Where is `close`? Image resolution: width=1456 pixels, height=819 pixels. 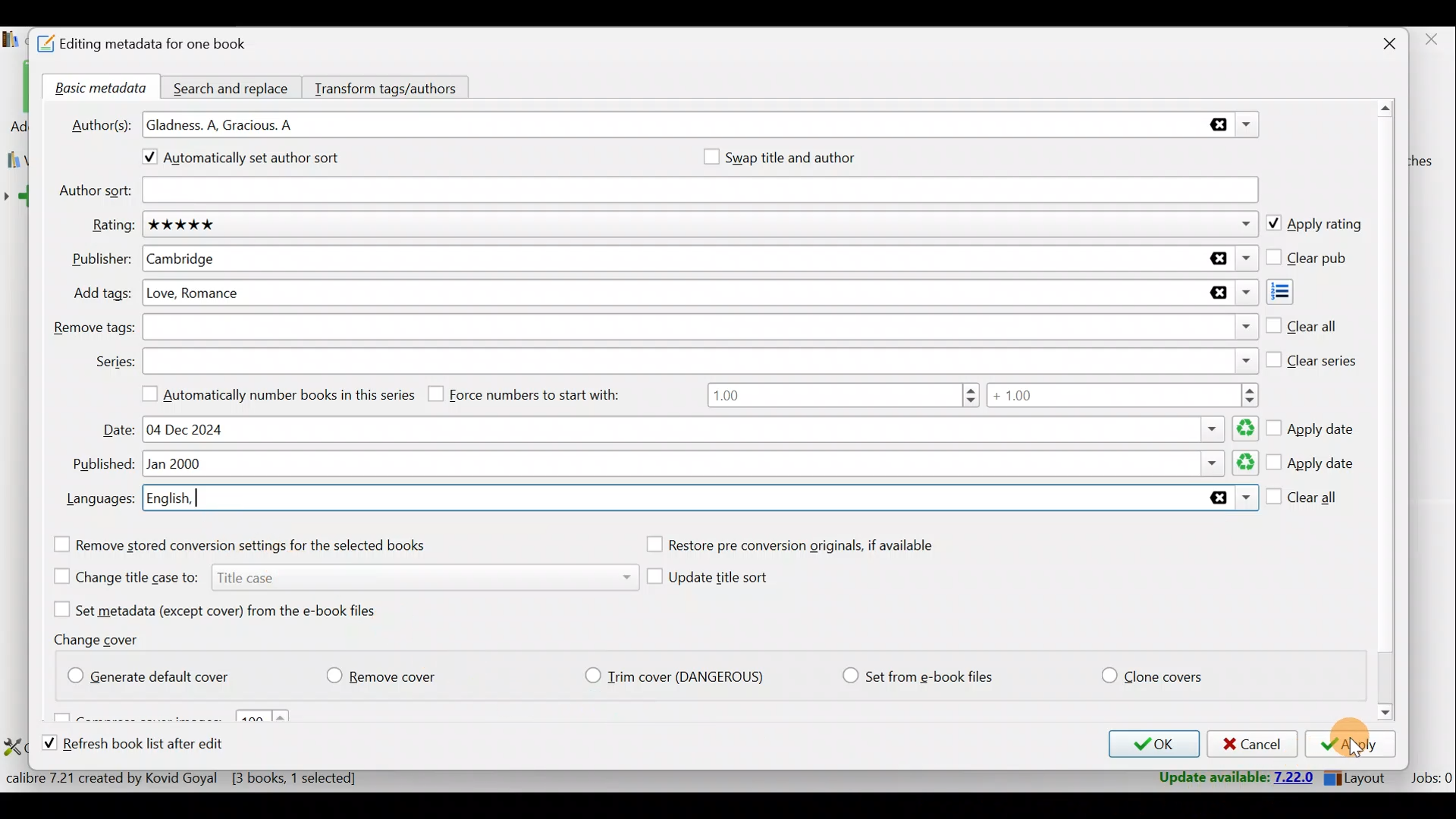 close is located at coordinates (1430, 40).